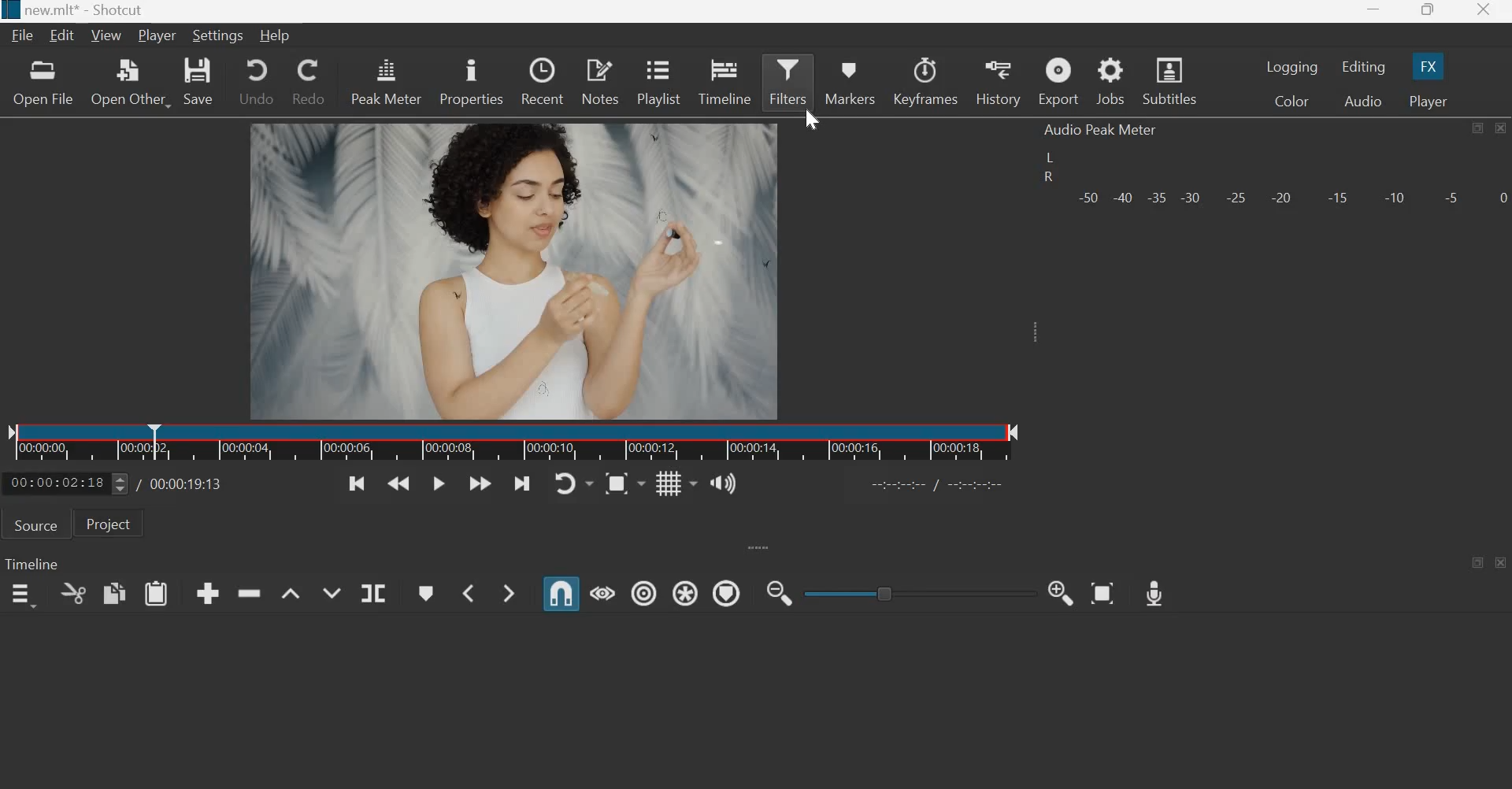 The width and height of the screenshot is (1512, 789). Describe the element at coordinates (1047, 178) in the screenshot. I see `Right` at that location.